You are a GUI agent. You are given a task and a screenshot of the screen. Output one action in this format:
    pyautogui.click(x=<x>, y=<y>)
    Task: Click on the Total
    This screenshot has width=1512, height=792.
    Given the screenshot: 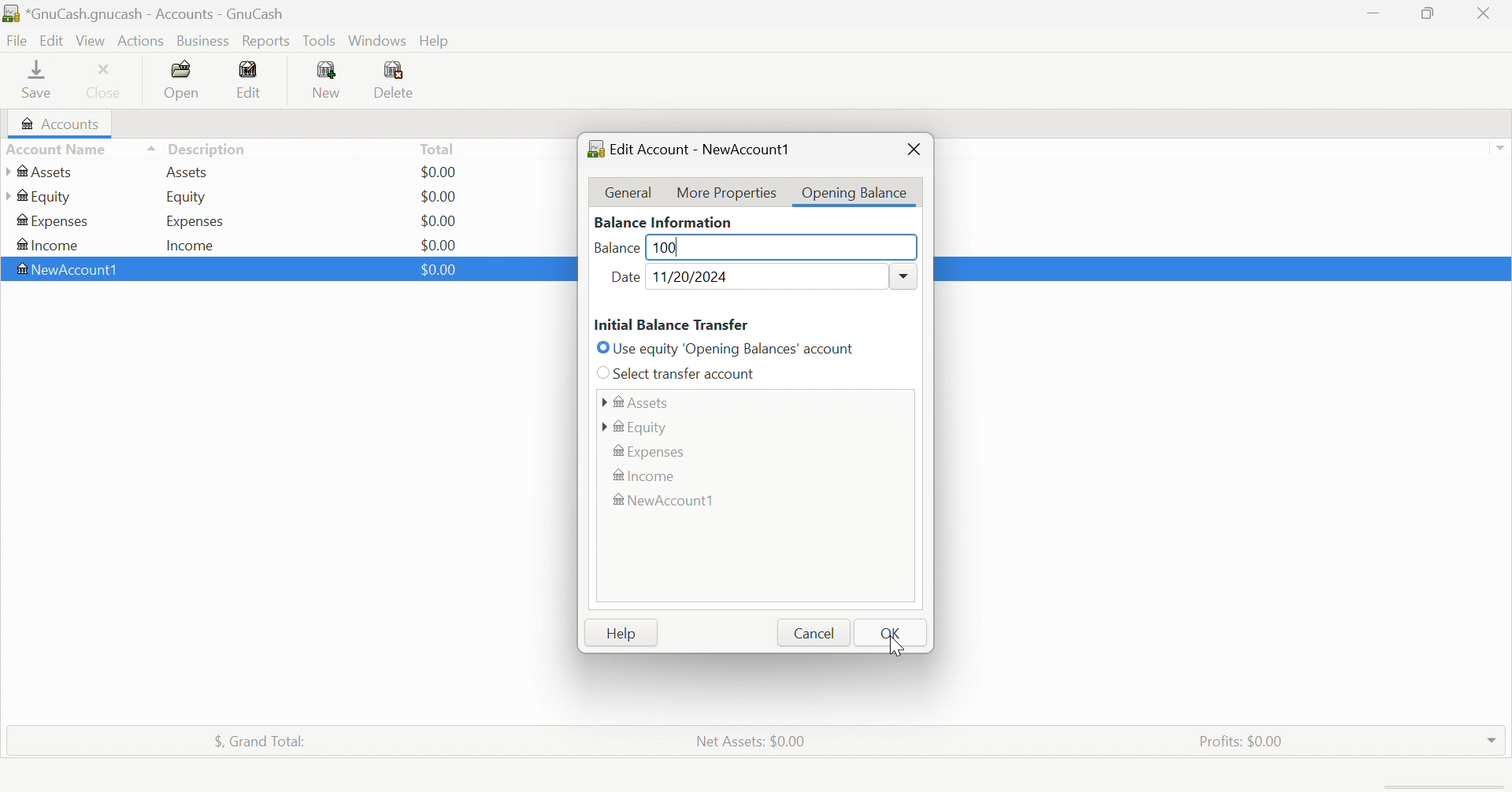 What is the action you would take?
    pyautogui.click(x=438, y=148)
    